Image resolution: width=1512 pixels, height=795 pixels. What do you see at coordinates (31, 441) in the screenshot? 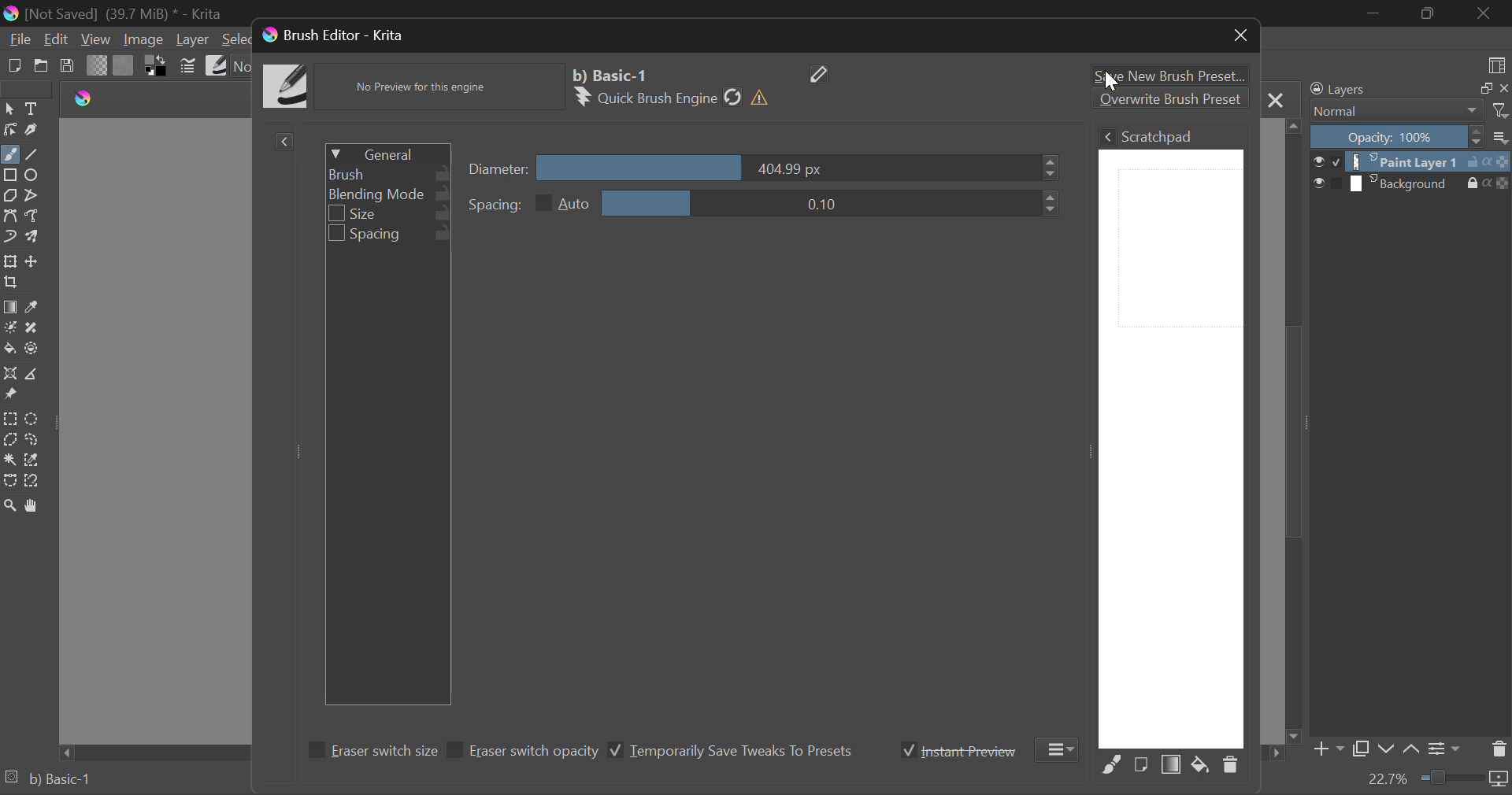
I see `Freehand Selection` at bounding box center [31, 441].